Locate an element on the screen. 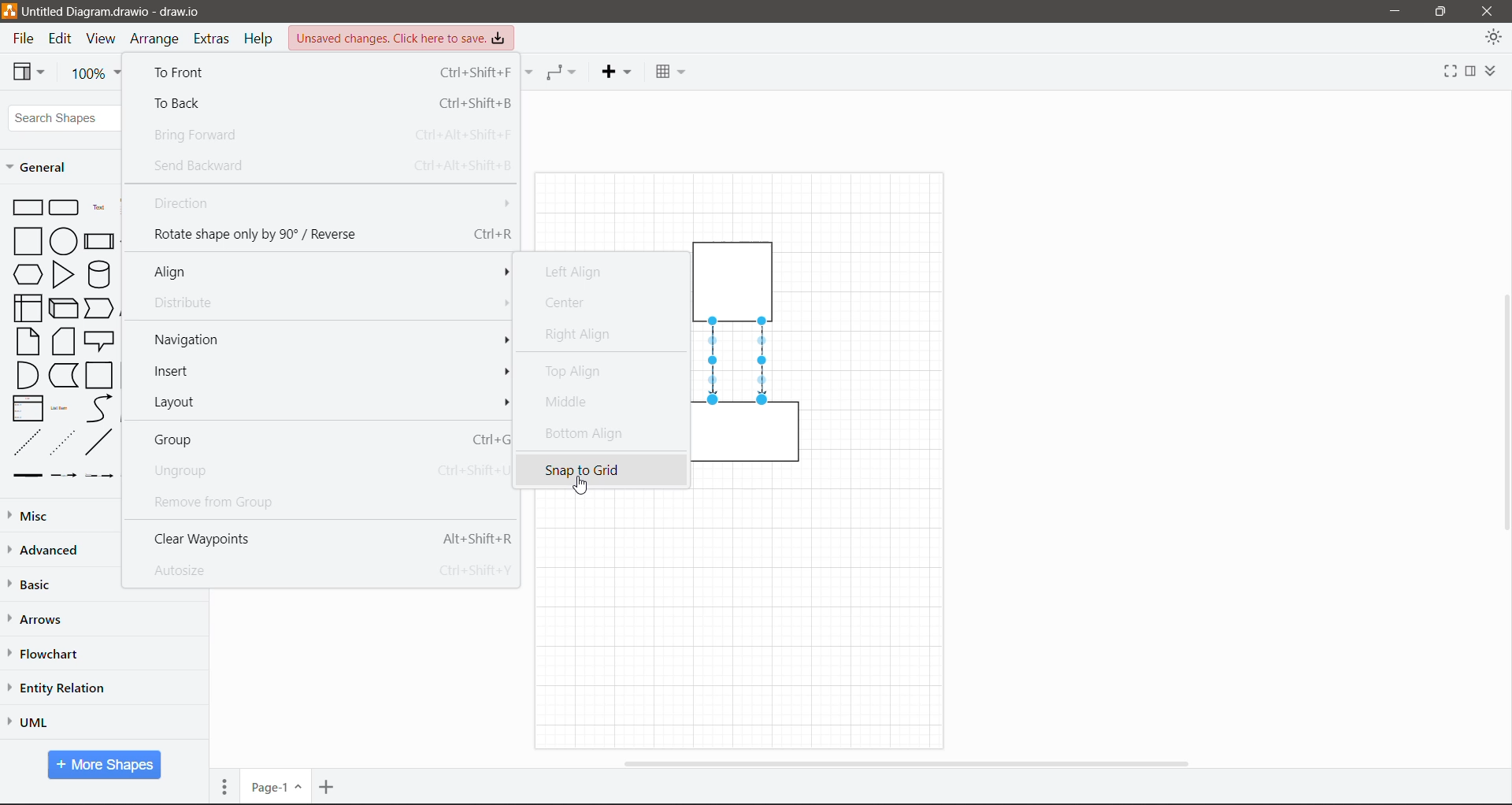 Image resolution: width=1512 pixels, height=805 pixels. Search Shapes is located at coordinates (66, 118).